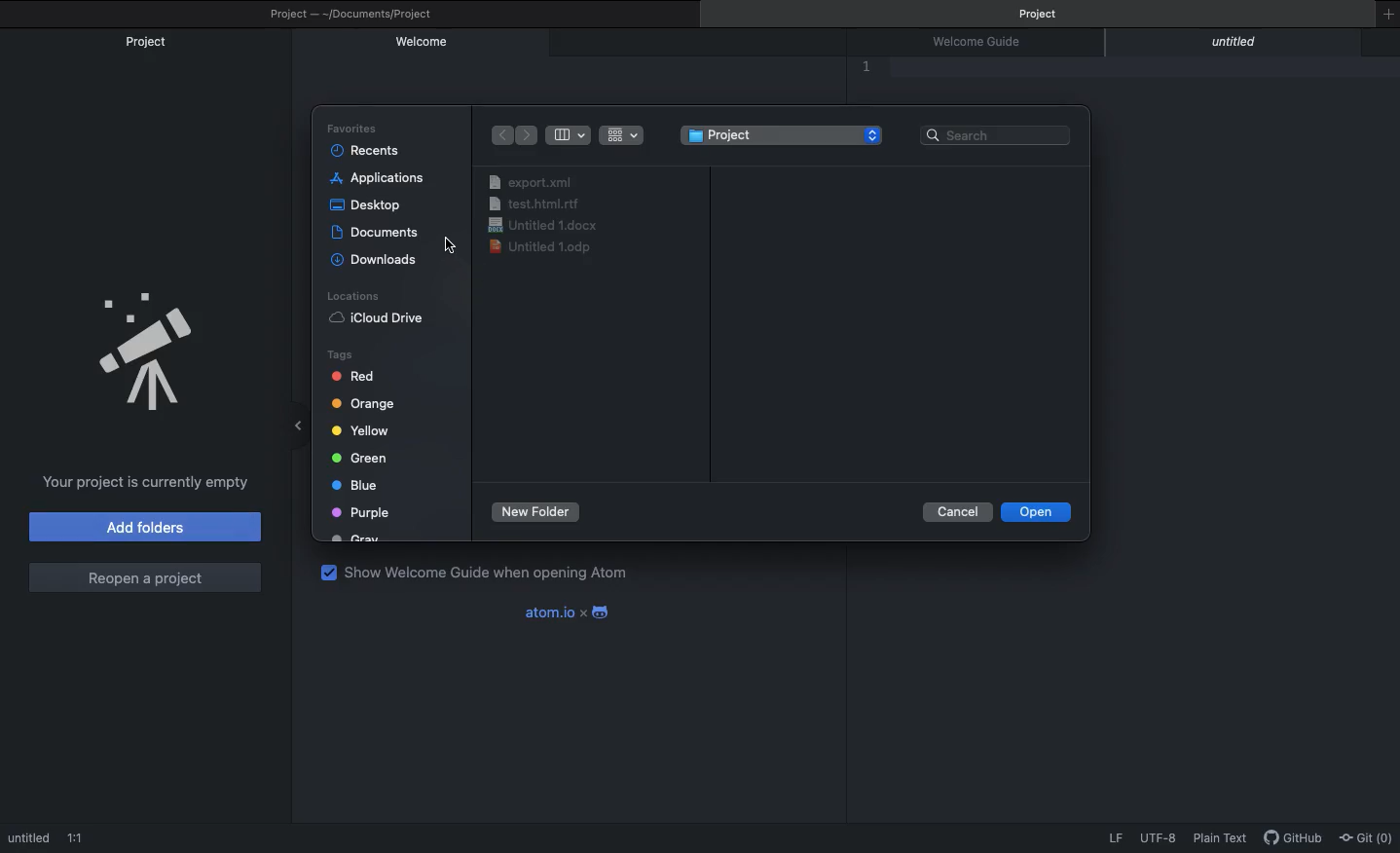 Image resolution: width=1400 pixels, height=853 pixels. What do you see at coordinates (421, 44) in the screenshot?
I see `Welcome` at bounding box center [421, 44].